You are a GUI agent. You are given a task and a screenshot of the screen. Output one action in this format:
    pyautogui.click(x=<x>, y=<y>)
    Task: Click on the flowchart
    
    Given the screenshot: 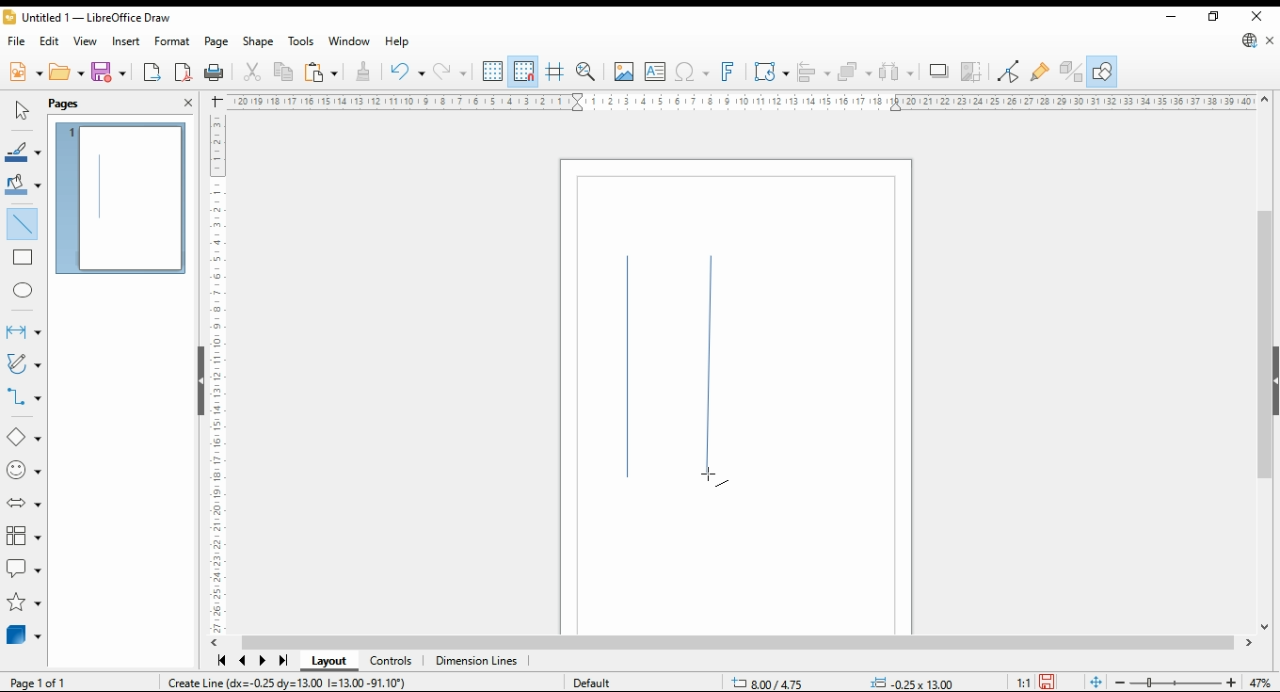 What is the action you would take?
    pyautogui.click(x=21, y=536)
    